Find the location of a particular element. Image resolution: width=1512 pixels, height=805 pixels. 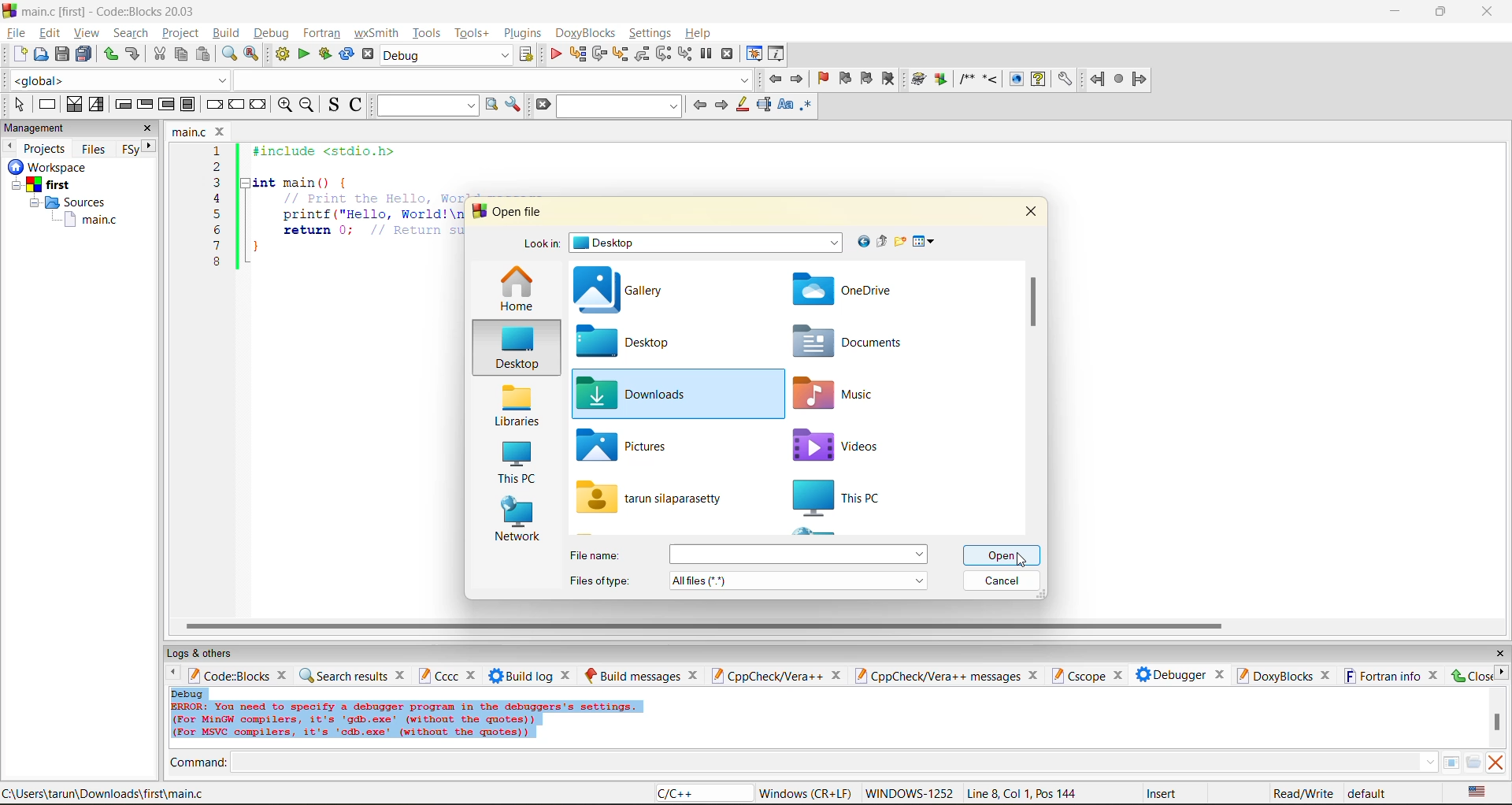

cccc is located at coordinates (438, 675).